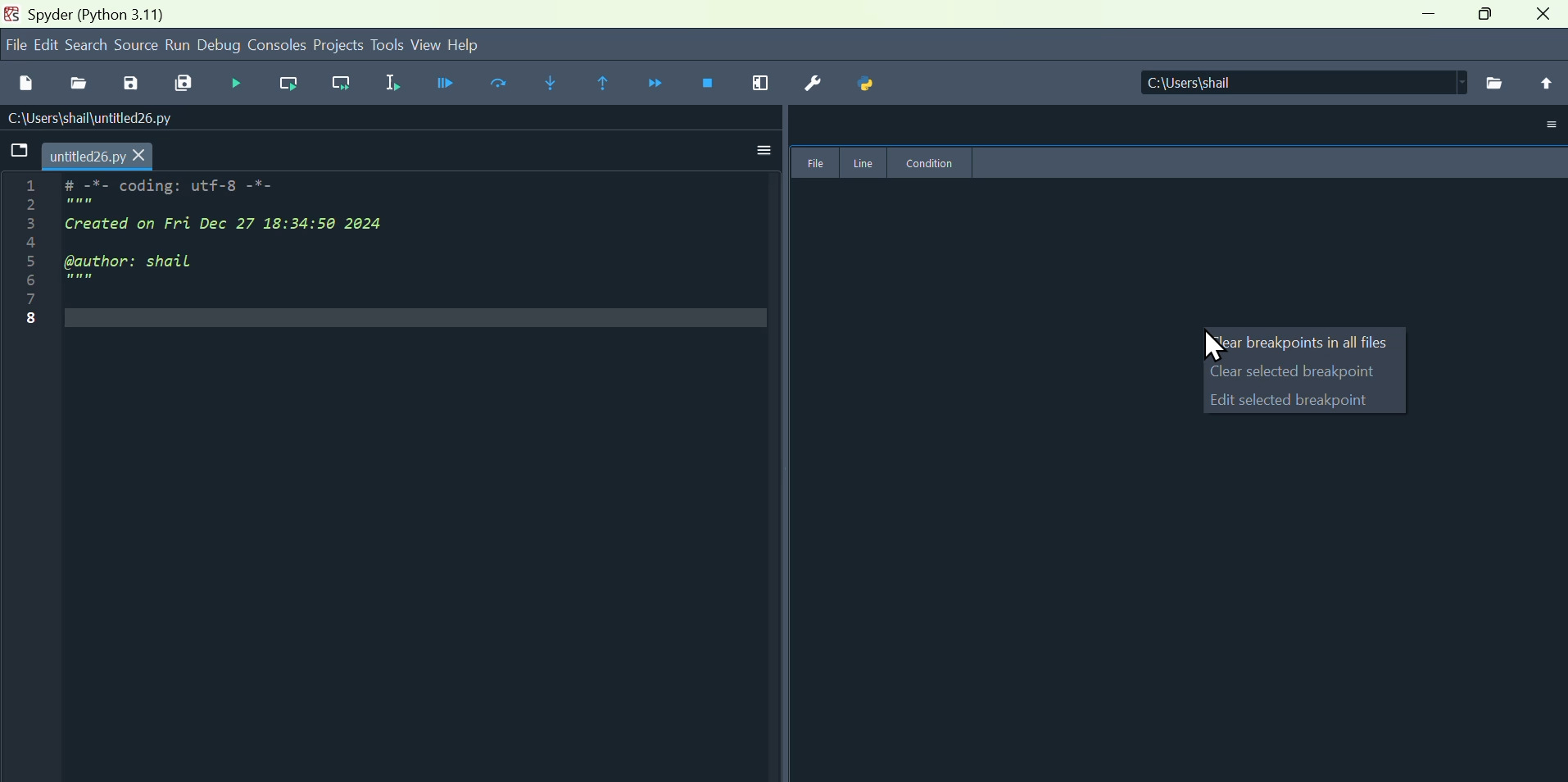 The image size is (1568, 782). What do you see at coordinates (88, 45) in the screenshot?
I see `Search` at bounding box center [88, 45].